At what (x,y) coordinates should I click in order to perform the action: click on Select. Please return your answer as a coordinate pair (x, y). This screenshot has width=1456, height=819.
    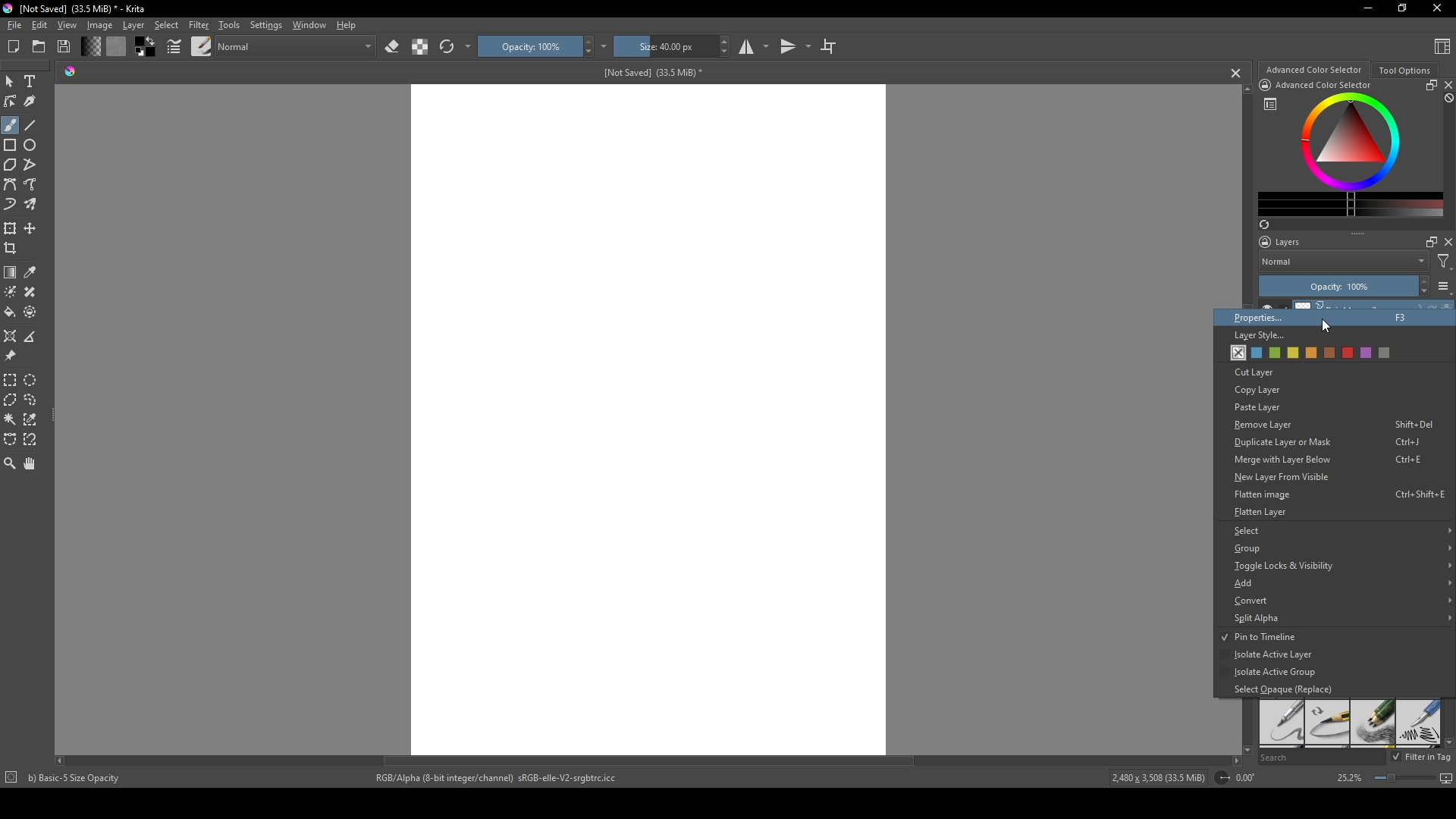
    Looking at the image, I should click on (1338, 531).